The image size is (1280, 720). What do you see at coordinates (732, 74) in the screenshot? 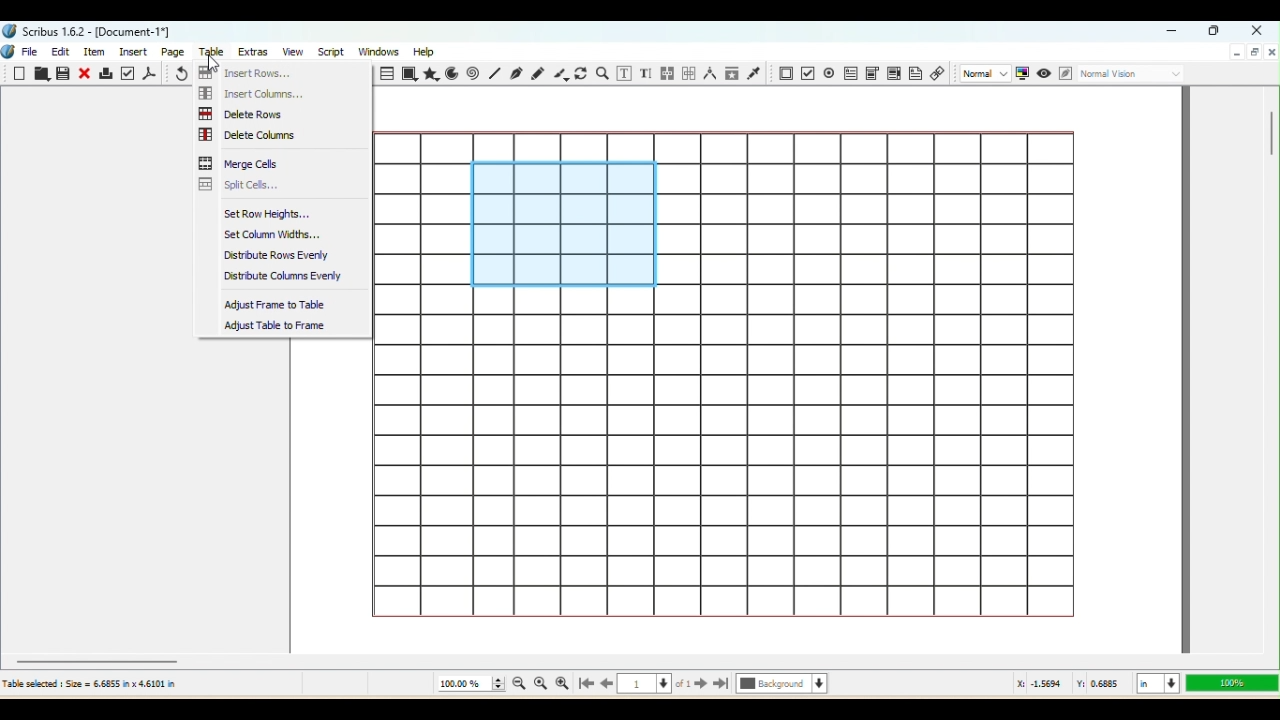
I see `Copy item properties` at bounding box center [732, 74].